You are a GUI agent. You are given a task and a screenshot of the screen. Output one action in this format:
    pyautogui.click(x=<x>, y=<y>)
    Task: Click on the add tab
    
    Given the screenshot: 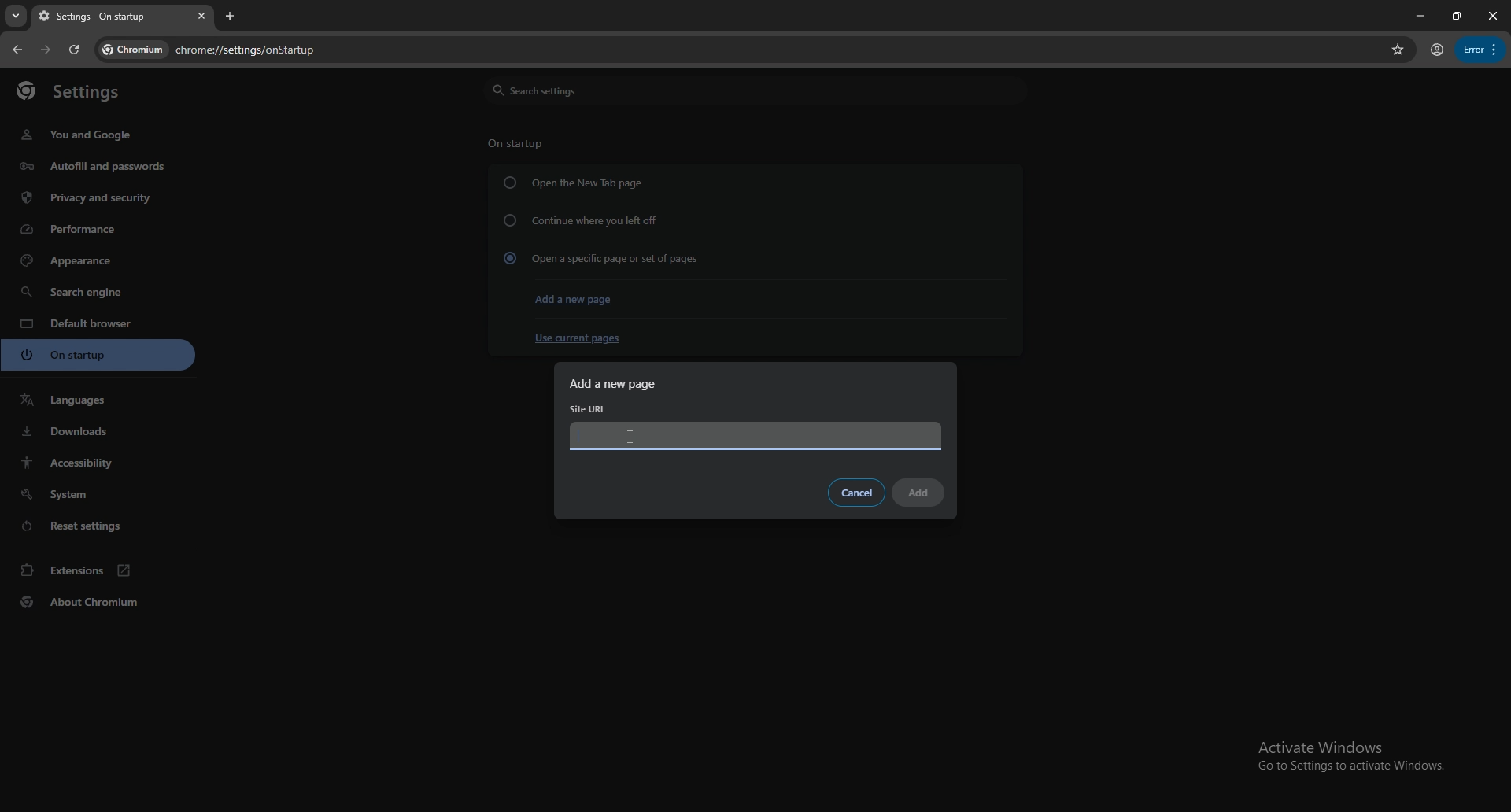 What is the action you would take?
    pyautogui.click(x=232, y=16)
    